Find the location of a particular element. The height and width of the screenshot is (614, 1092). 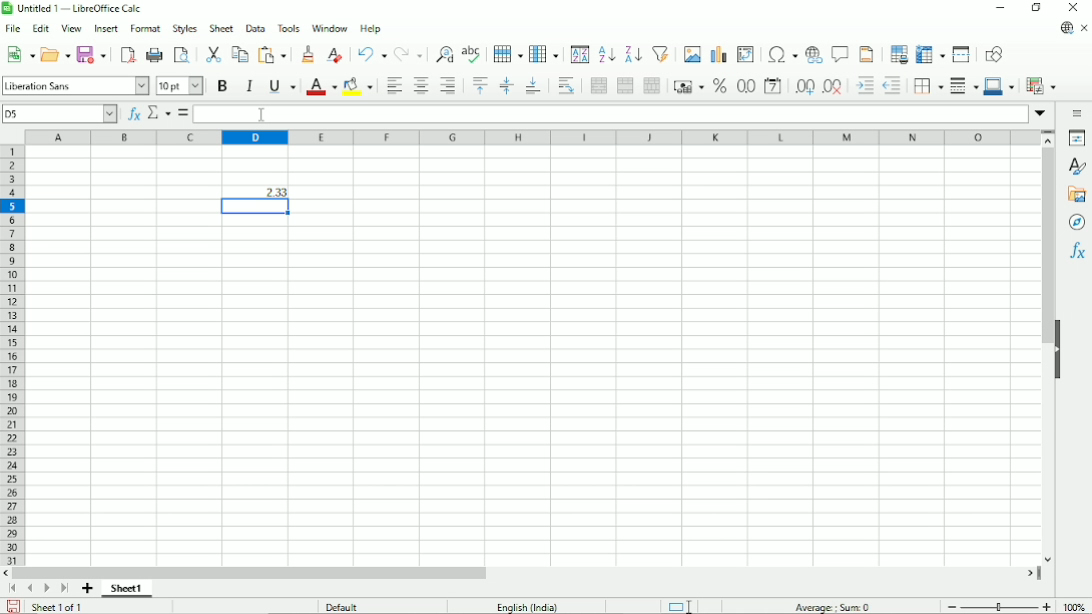

Save is located at coordinates (14, 606).